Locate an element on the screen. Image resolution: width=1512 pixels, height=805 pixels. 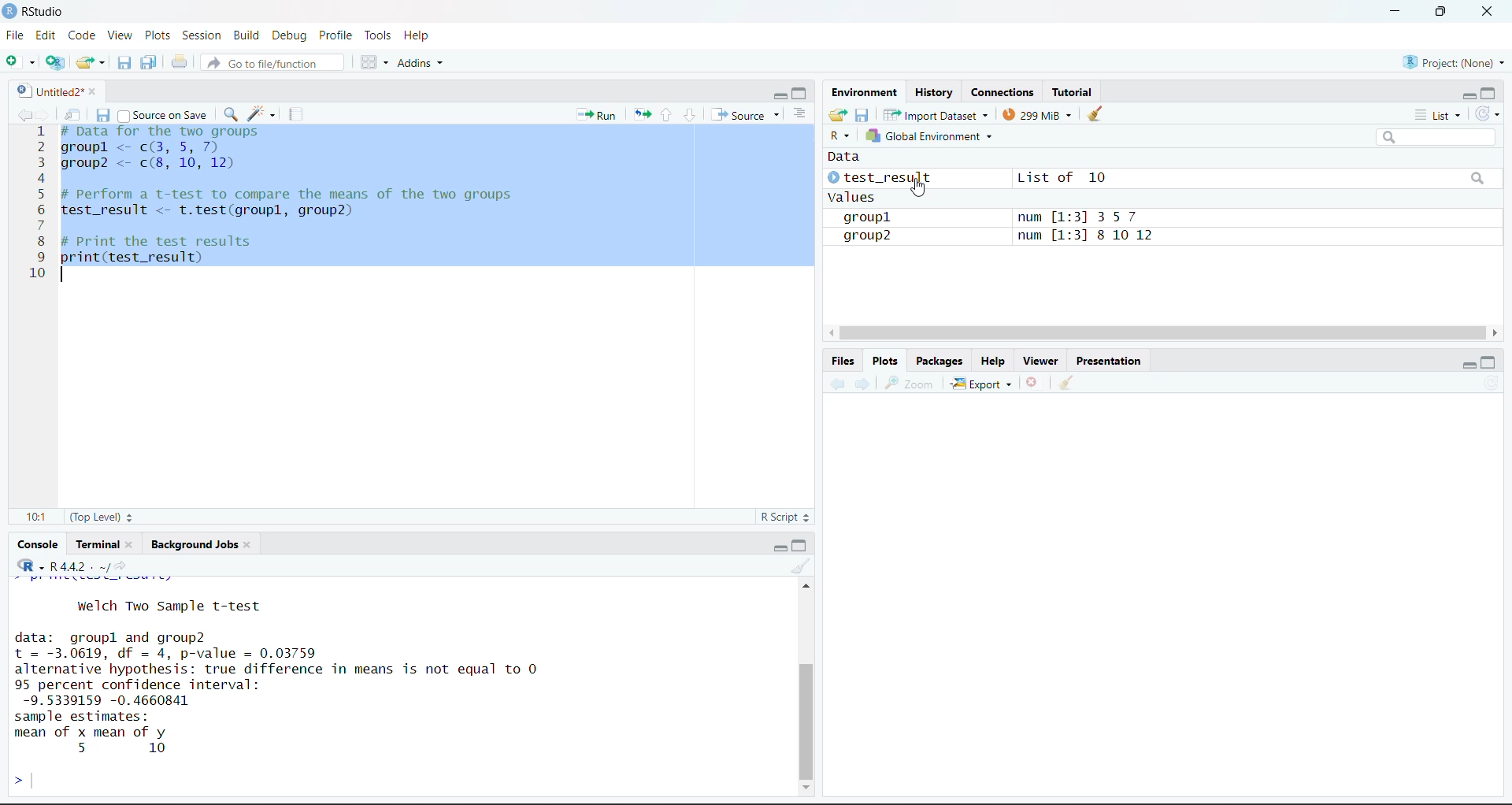
> is located at coordinates (16, 778).